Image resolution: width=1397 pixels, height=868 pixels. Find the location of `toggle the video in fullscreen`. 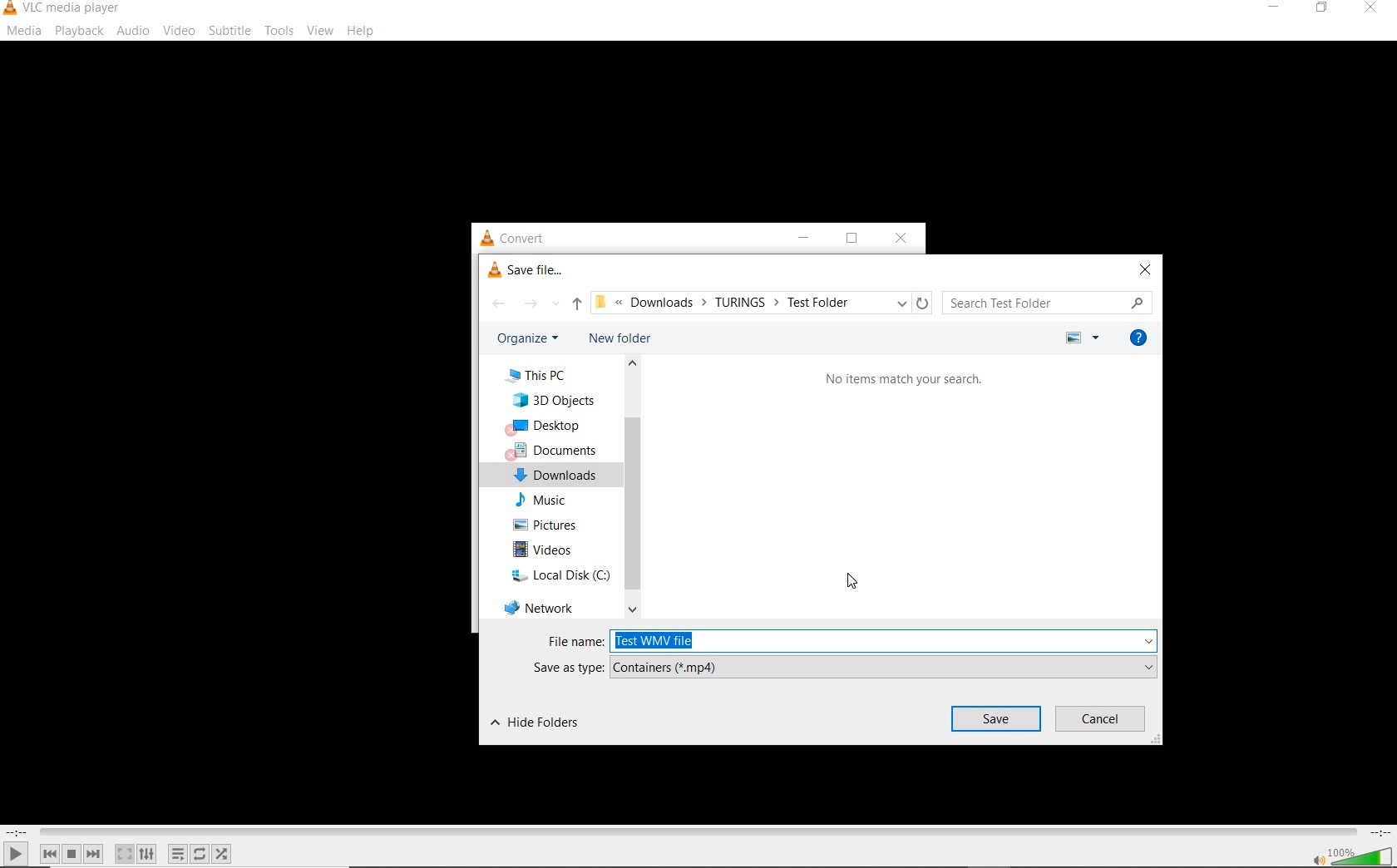

toggle the video in fullscreen is located at coordinates (124, 854).